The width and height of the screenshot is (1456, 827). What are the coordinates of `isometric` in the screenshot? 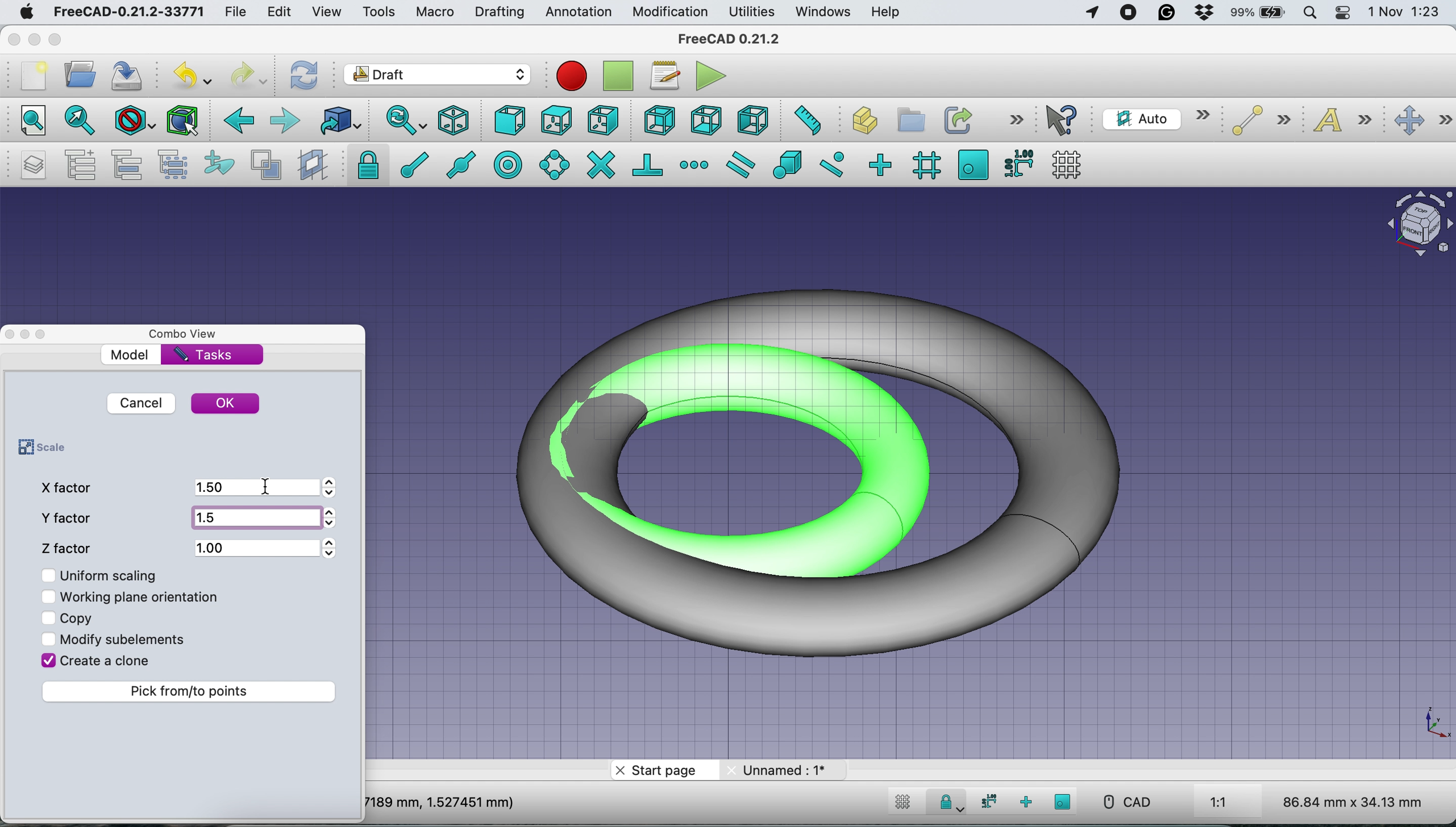 It's located at (455, 120).